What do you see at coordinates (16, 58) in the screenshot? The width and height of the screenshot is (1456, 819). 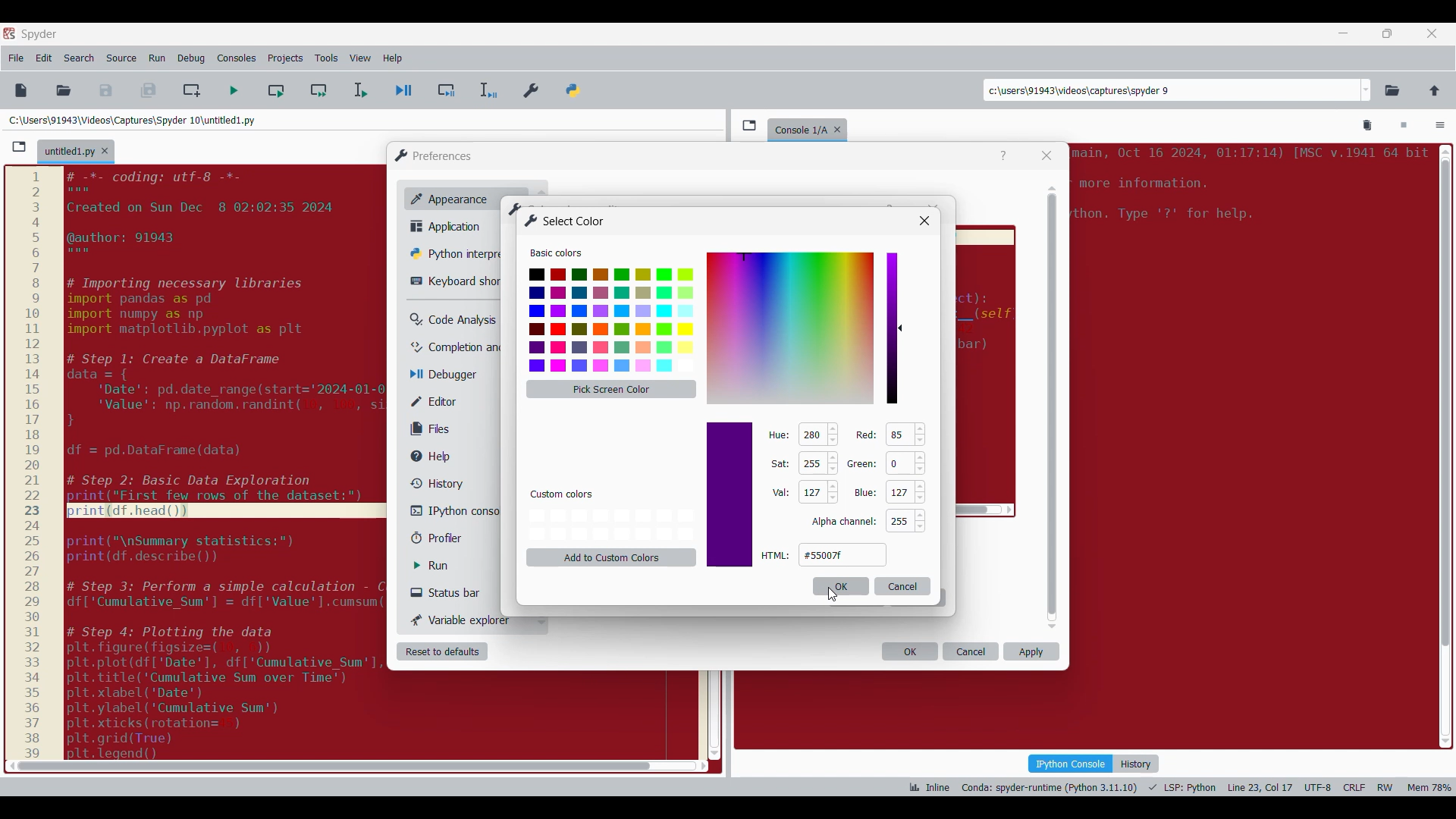 I see `File menu ` at bounding box center [16, 58].